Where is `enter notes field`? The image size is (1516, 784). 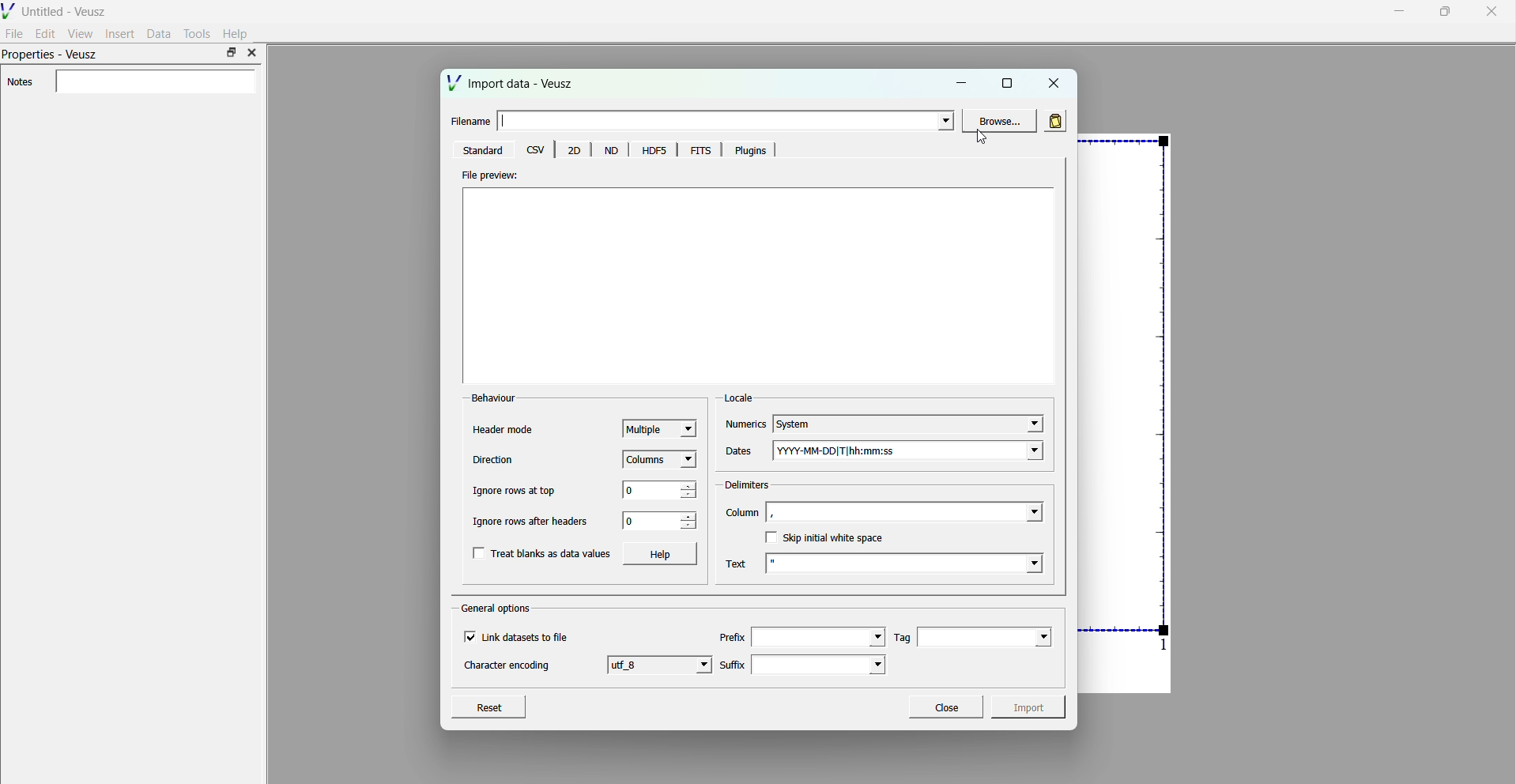
enter notes field is located at coordinates (155, 82).